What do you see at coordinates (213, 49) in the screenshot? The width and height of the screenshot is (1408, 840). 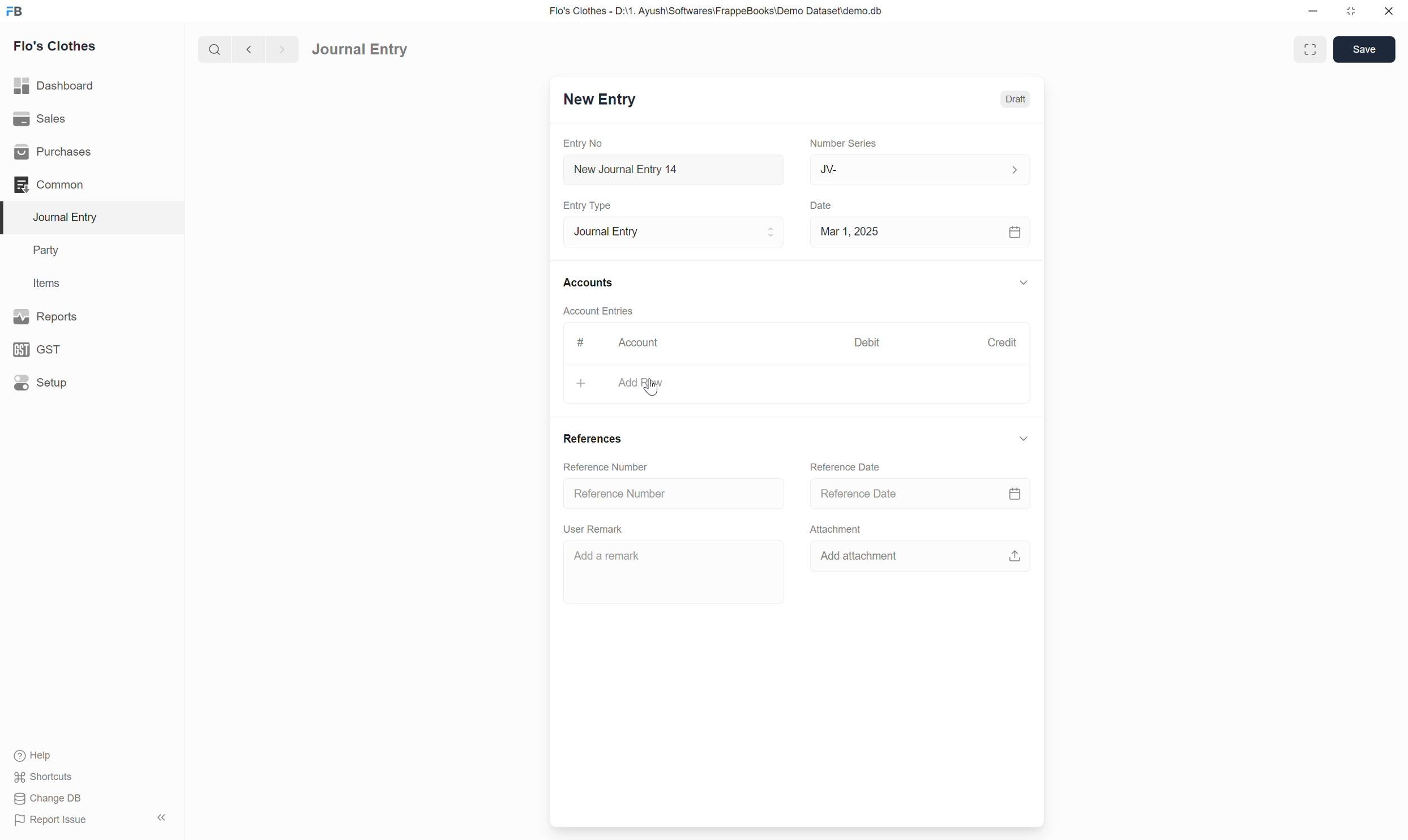 I see `search` at bounding box center [213, 49].